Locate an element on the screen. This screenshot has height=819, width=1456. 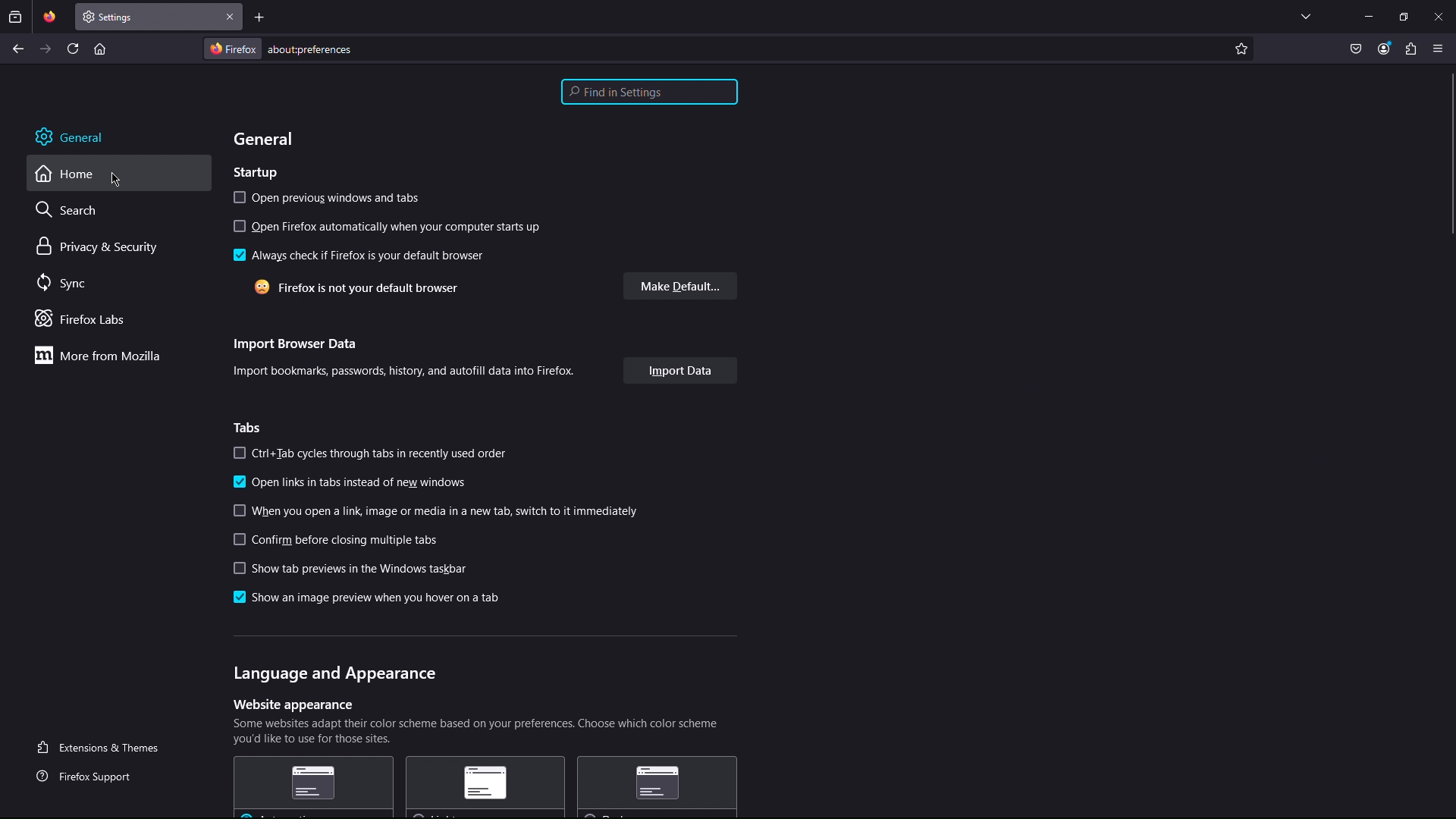
Account is located at coordinates (1384, 50).